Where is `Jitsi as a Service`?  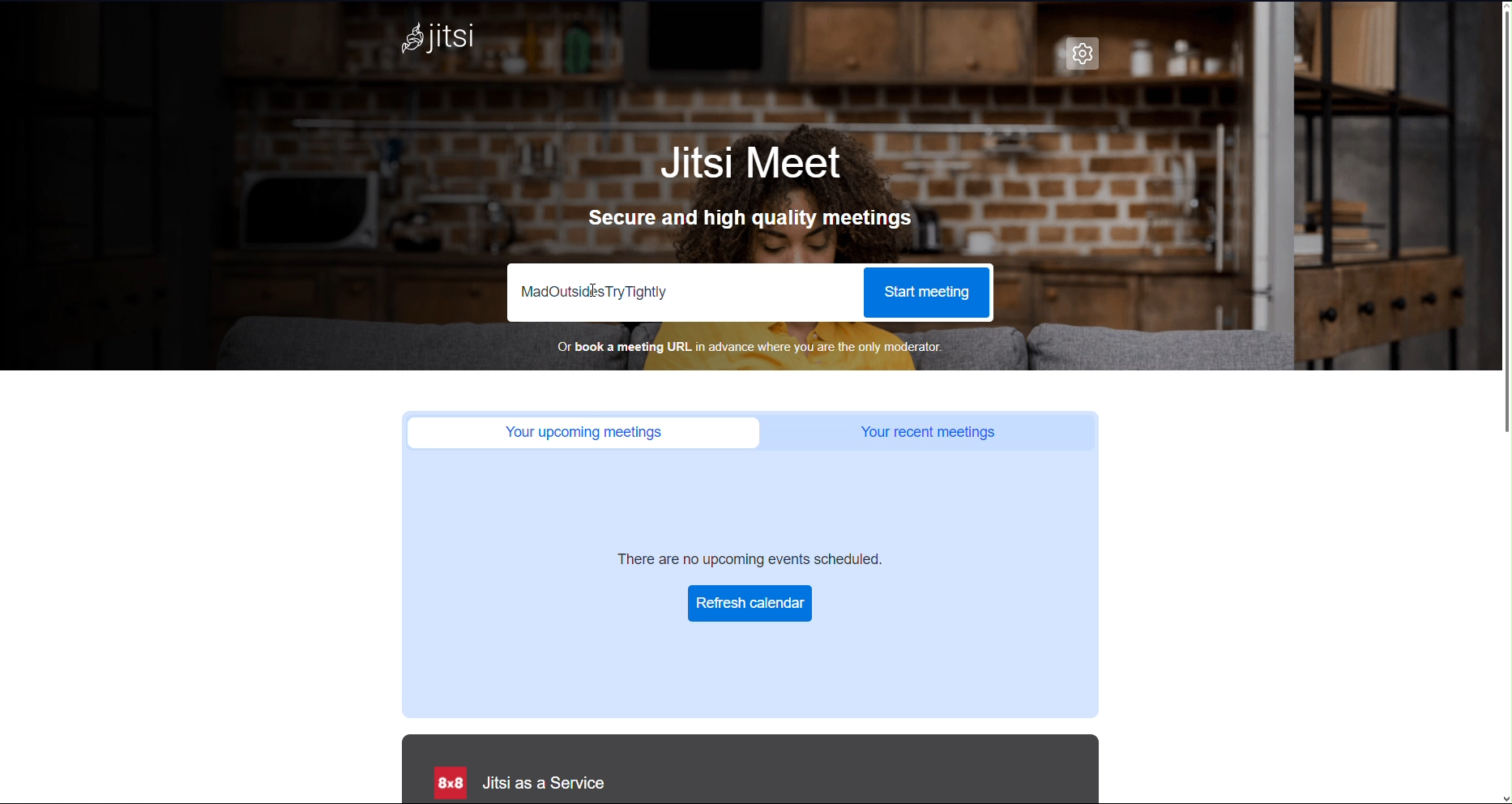
Jitsi as a Service is located at coordinates (516, 783).